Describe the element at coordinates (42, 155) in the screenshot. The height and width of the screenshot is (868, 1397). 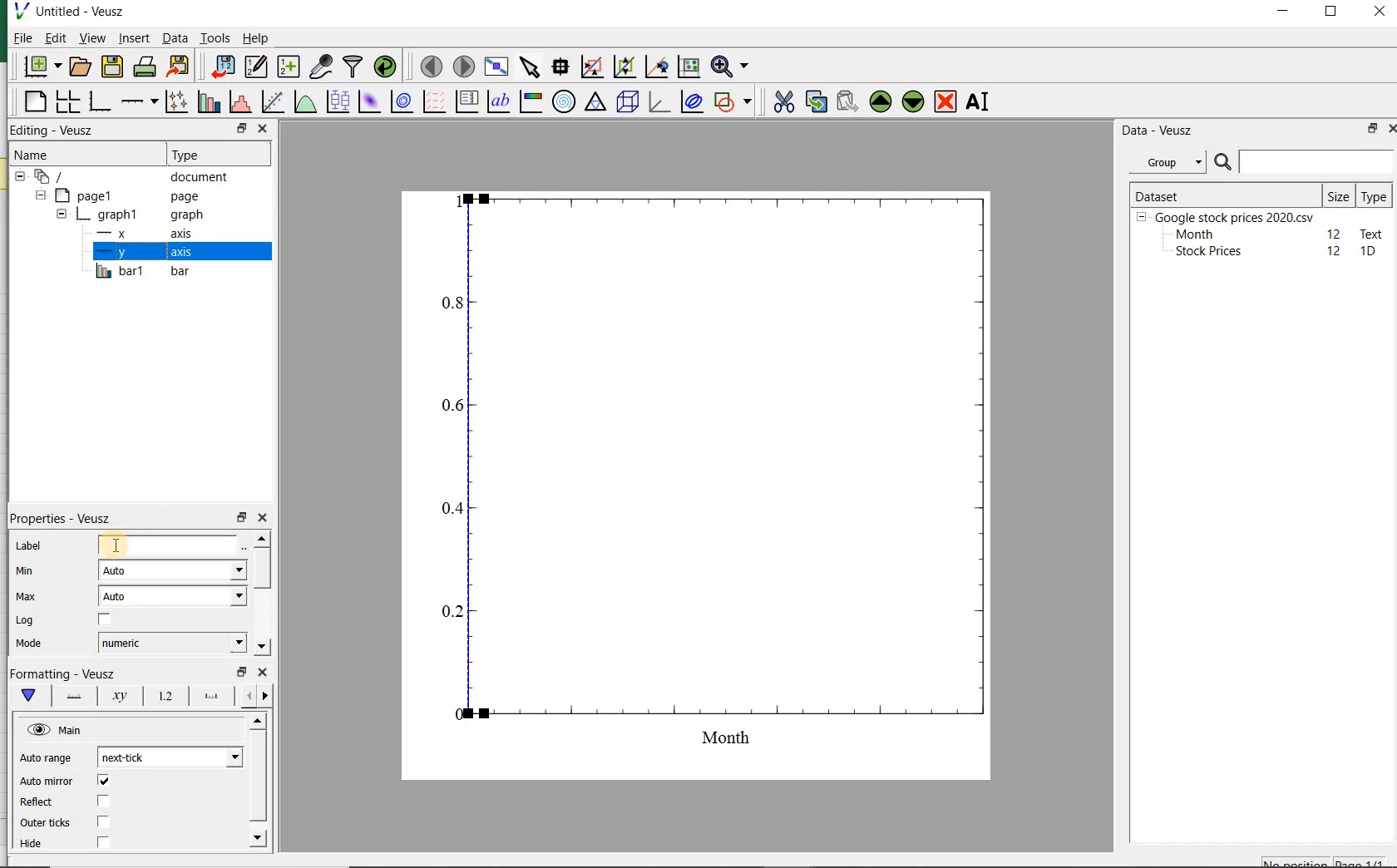
I see `Name` at that location.